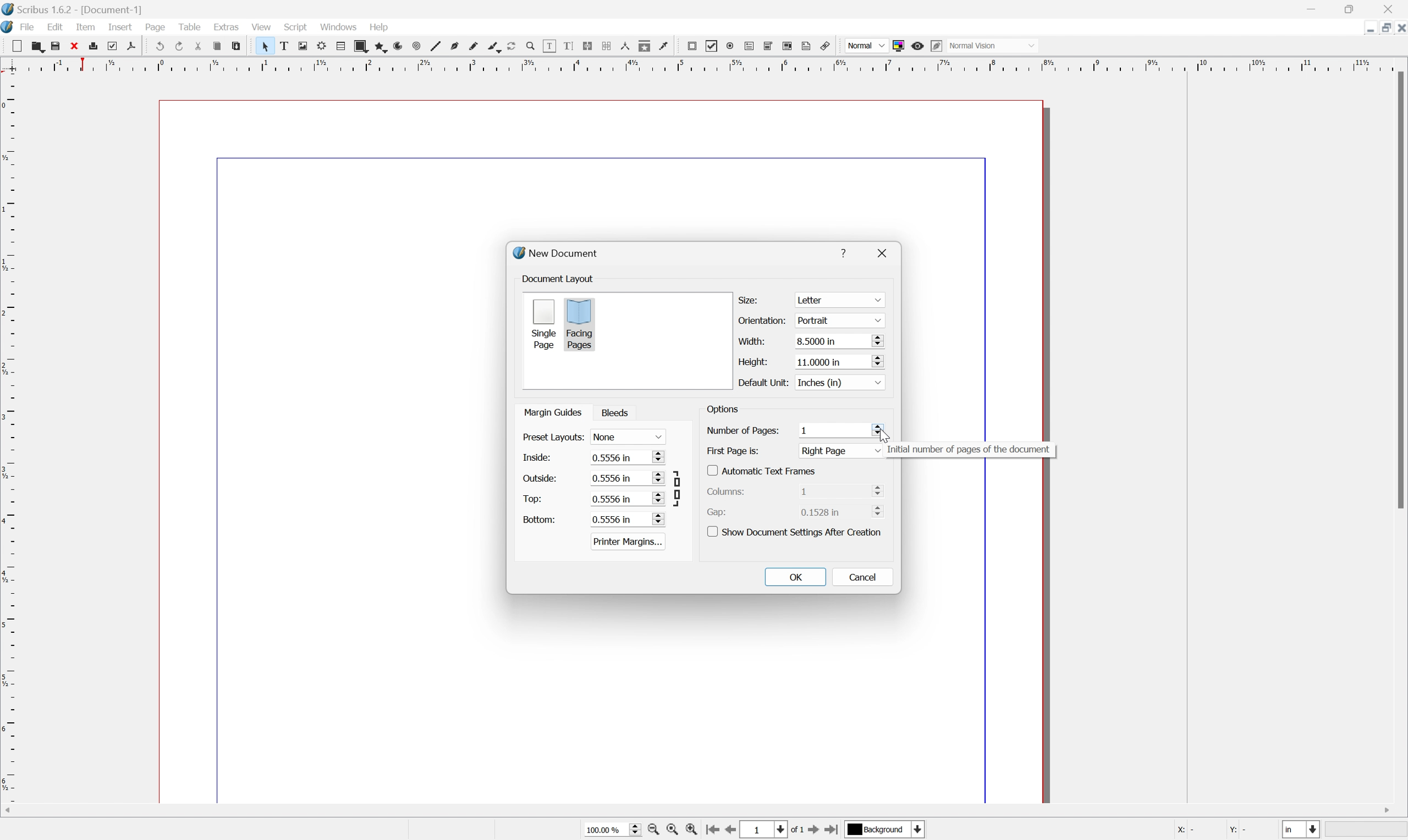 Image resolution: width=1408 pixels, height=840 pixels. What do you see at coordinates (795, 829) in the screenshot?
I see `of 1` at bounding box center [795, 829].